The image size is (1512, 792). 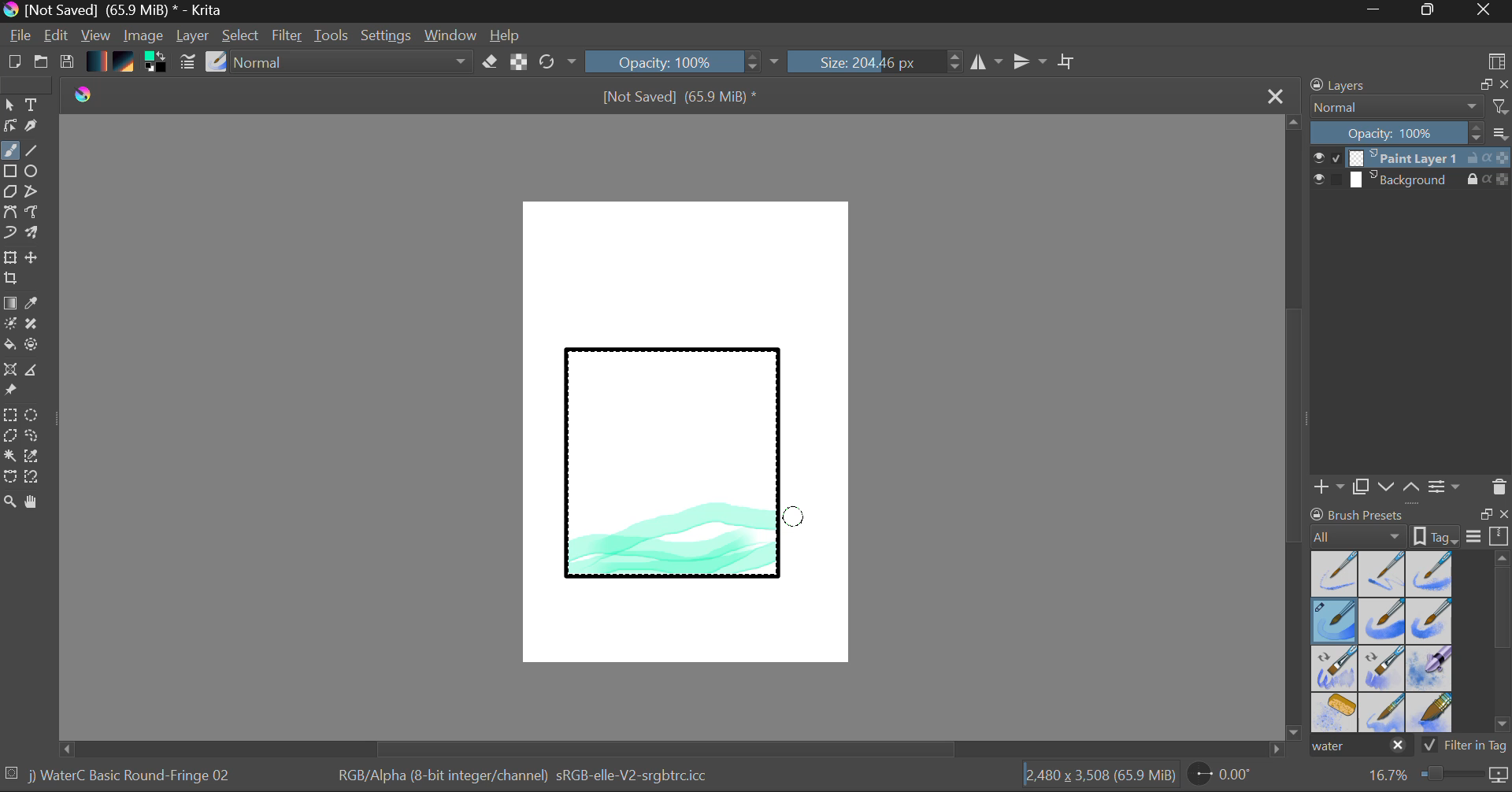 What do you see at coordinates (986, 62) in the screenshot?
I see `Vertical Mirror Flip` at bounding box center [986, 62].